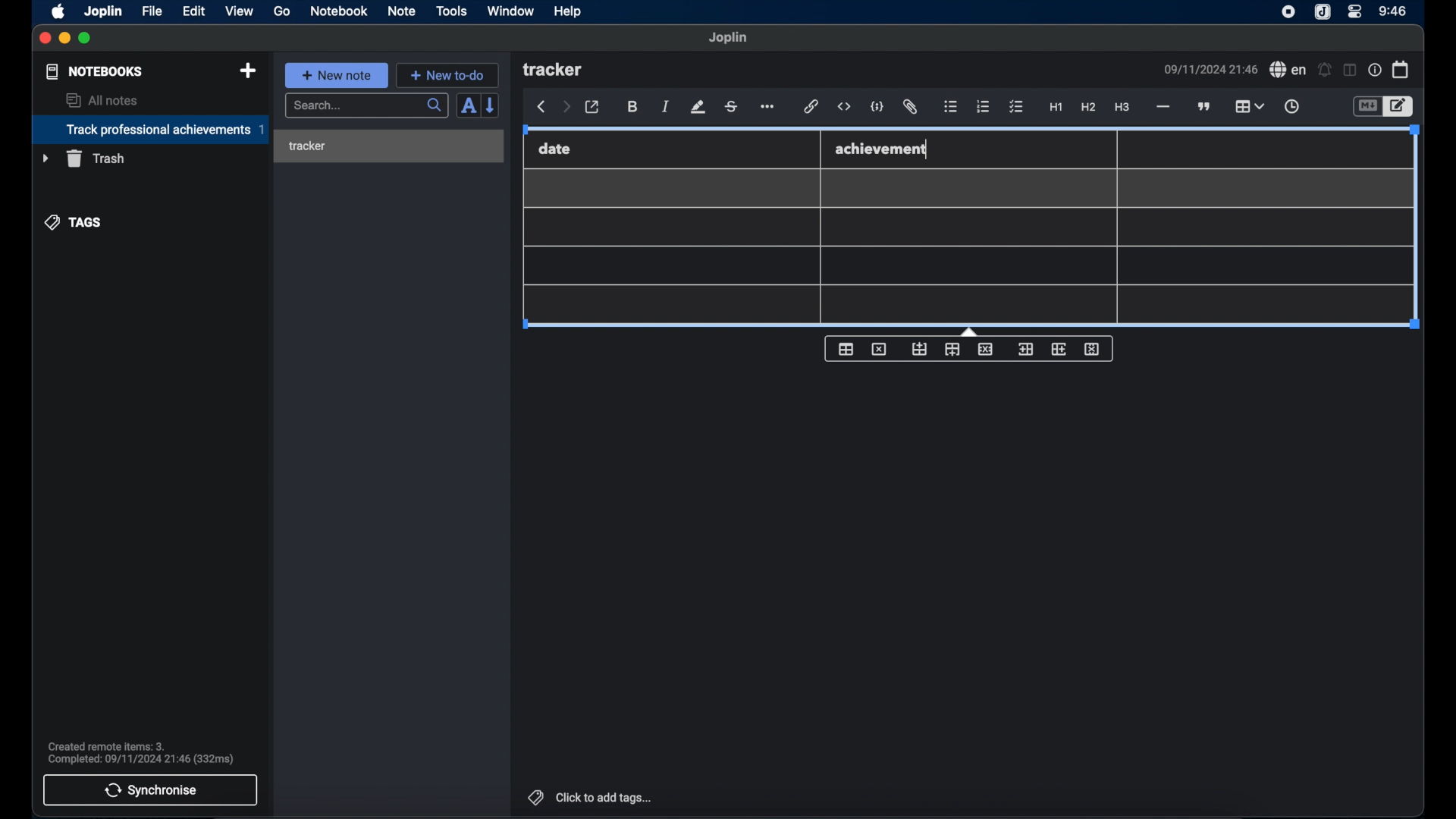  What do you see at coordinates (74, 221) in the screenshot?
I see `tags` at bounding box center [74, 221].